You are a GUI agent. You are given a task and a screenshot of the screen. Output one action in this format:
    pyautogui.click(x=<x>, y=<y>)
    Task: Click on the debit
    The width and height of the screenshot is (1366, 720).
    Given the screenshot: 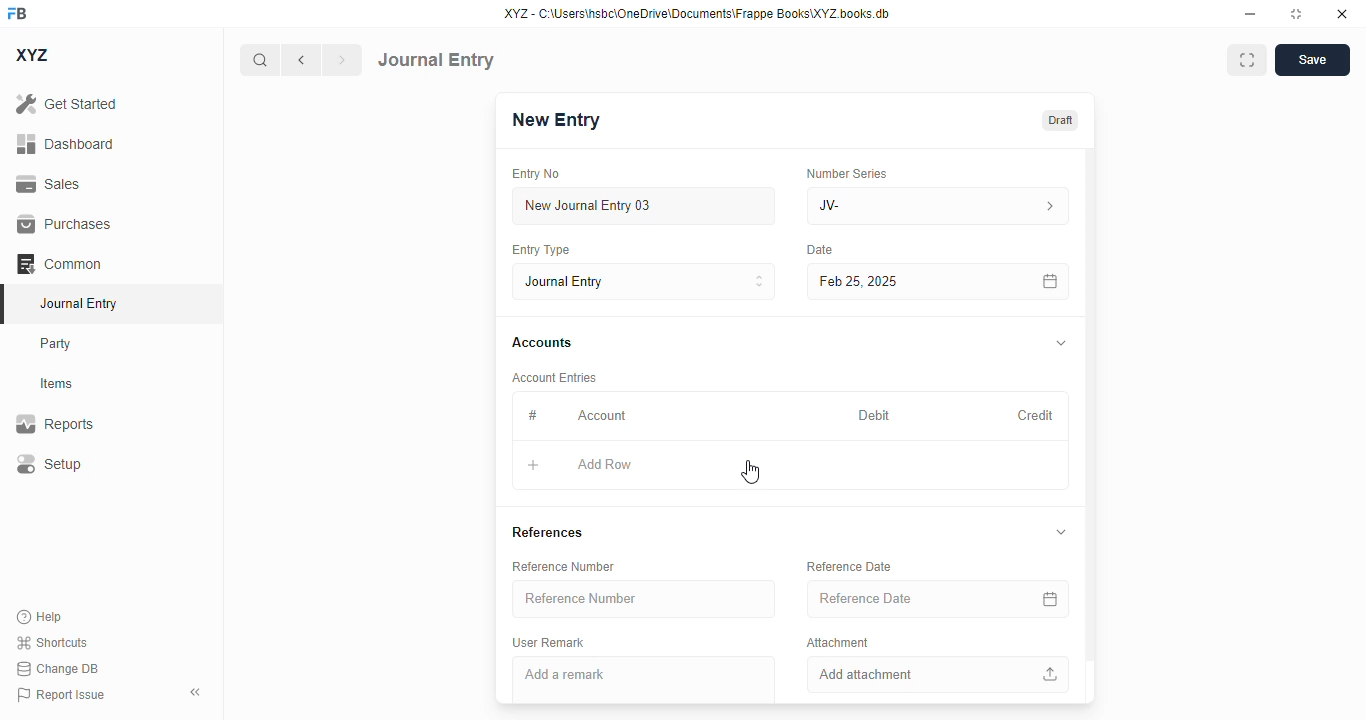 What is the action you would take?
    pyautogui.click(x=875, y=417)
    